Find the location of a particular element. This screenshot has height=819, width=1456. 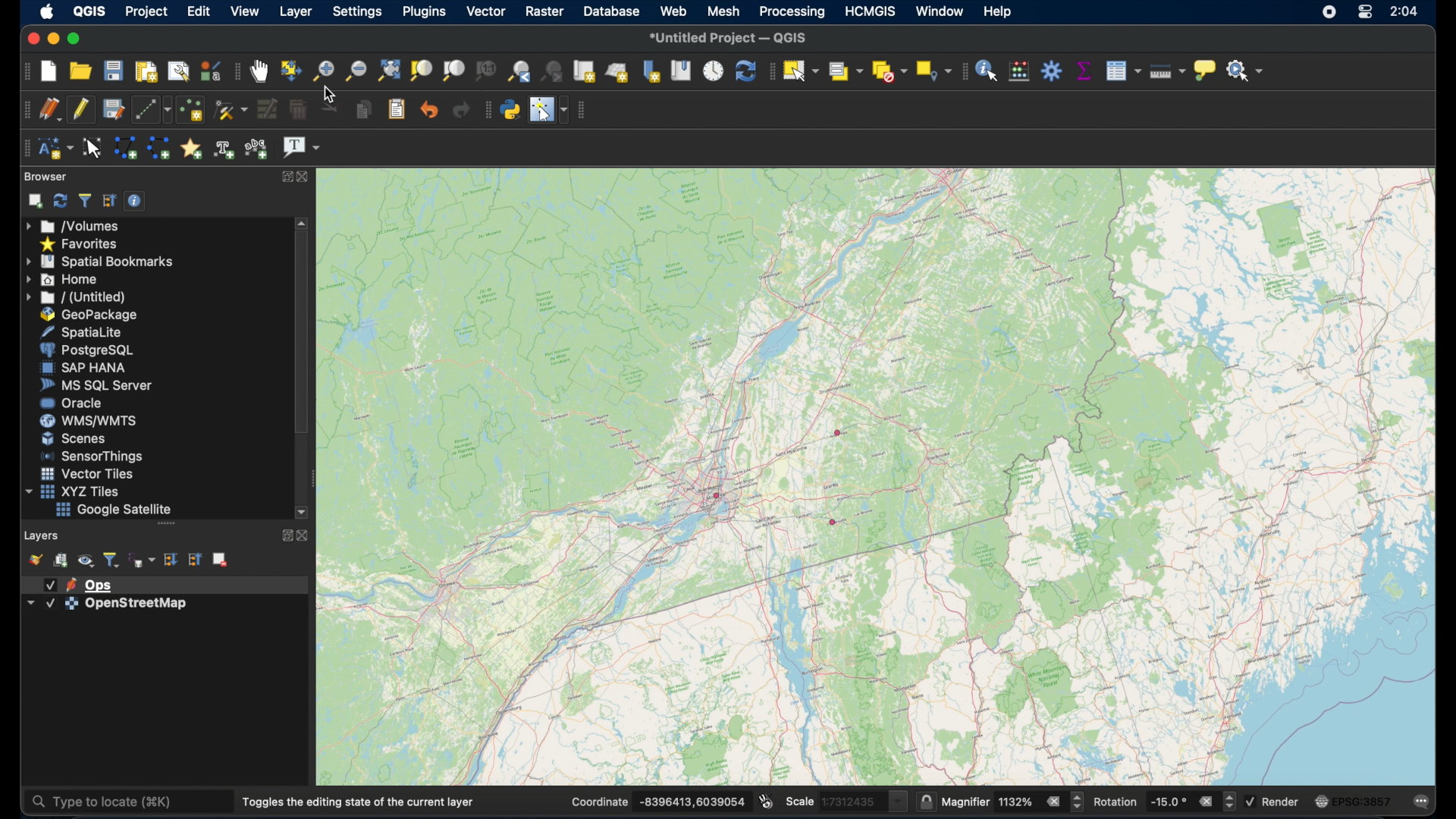

project toolbar is located at coordinates (24, 73).